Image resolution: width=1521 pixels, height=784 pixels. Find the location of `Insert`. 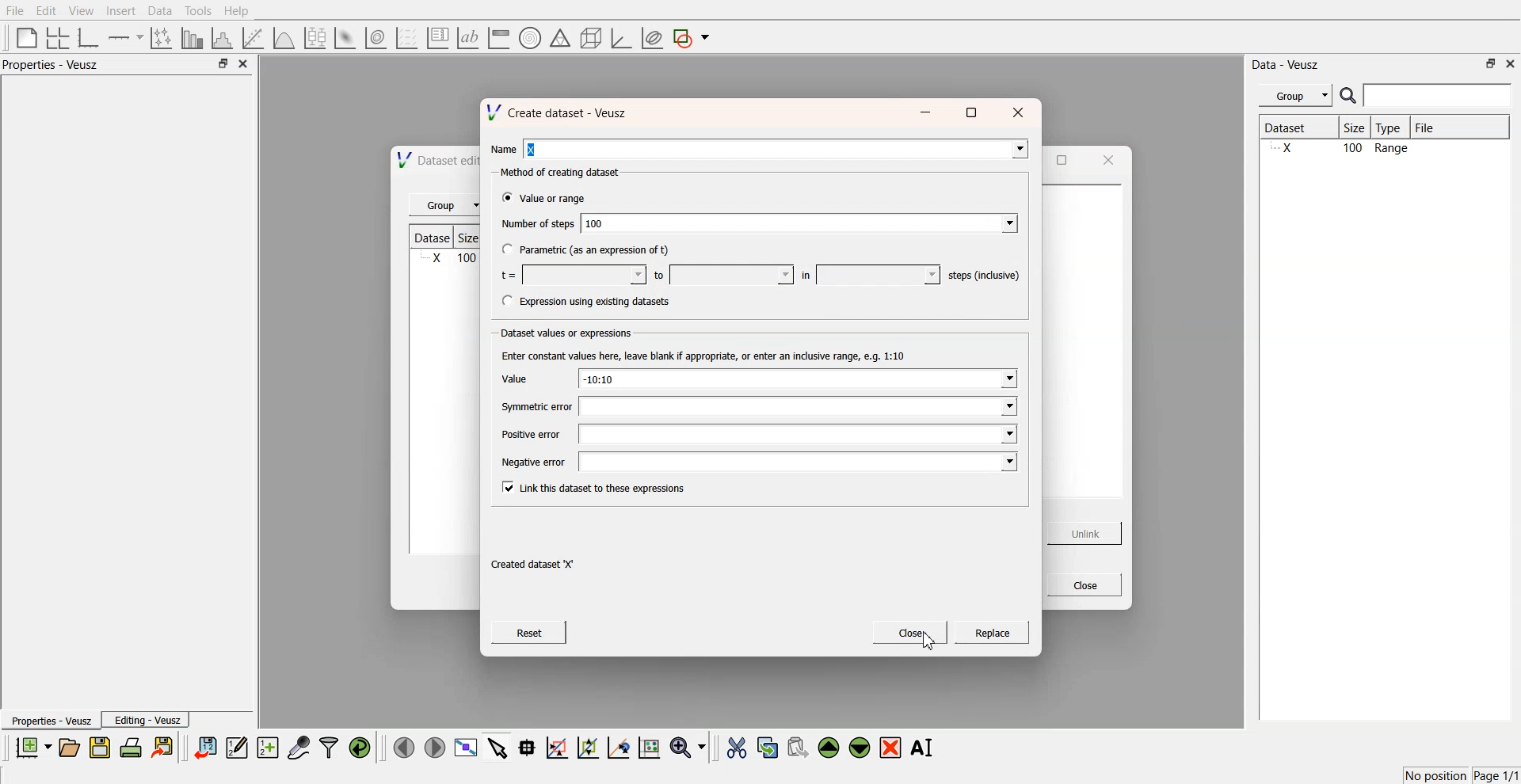

Insert is located at coordinates (119, 11).